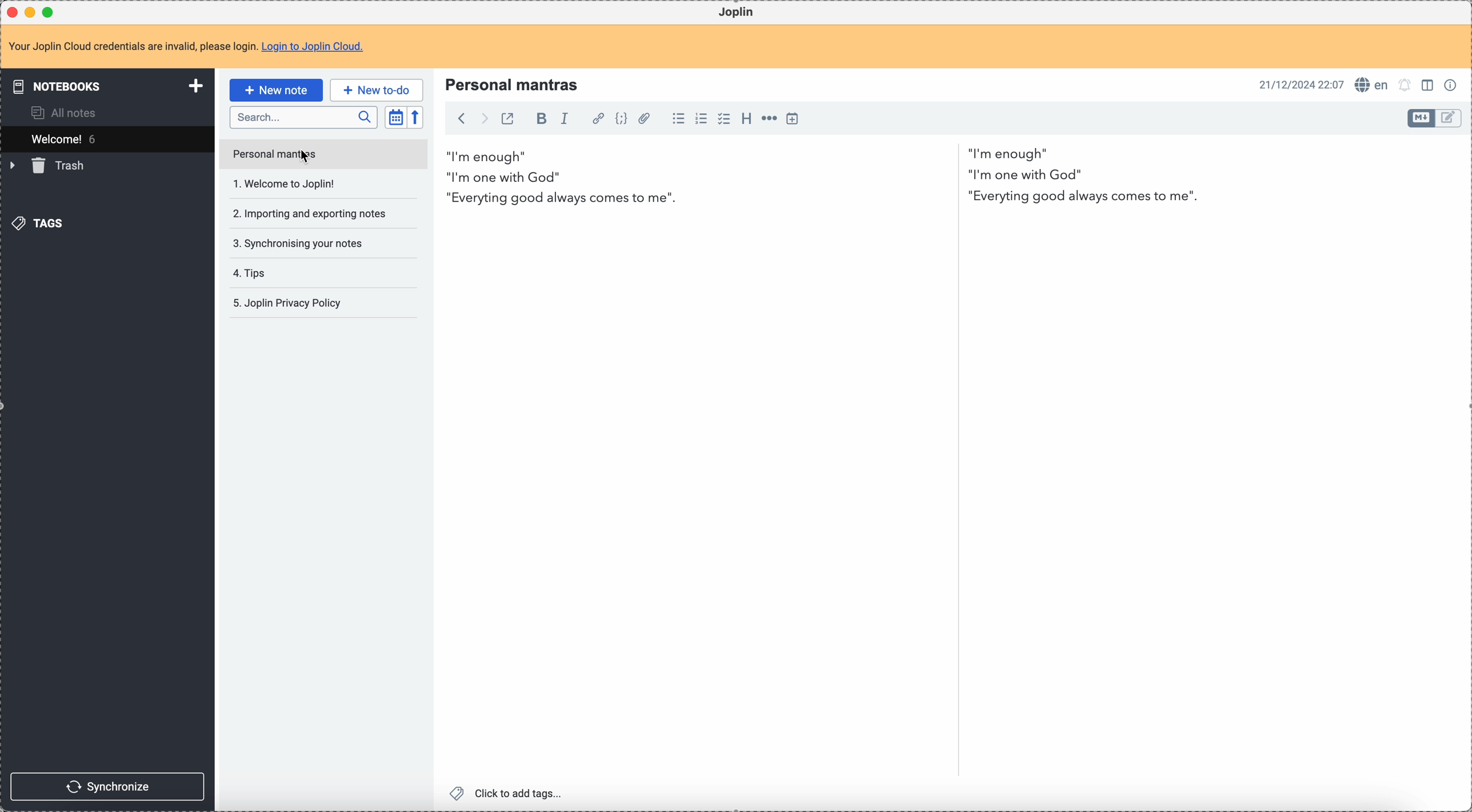 The width and height of the screenshot is (1472, 812). I want to click on reverse sort order, so click(415, 118).